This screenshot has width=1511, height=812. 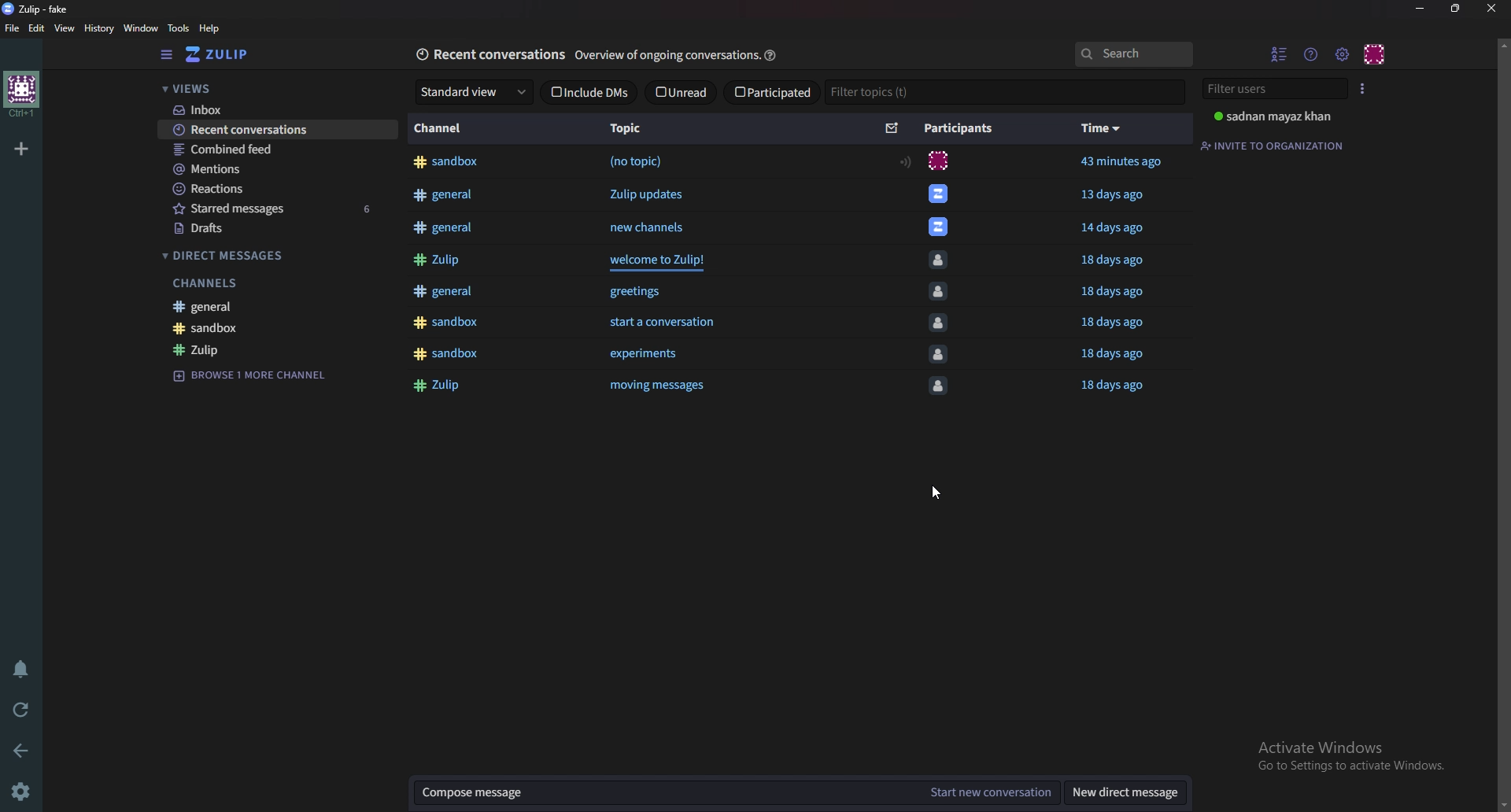 I want to click on Filter topics, so click(x=870, y=92).